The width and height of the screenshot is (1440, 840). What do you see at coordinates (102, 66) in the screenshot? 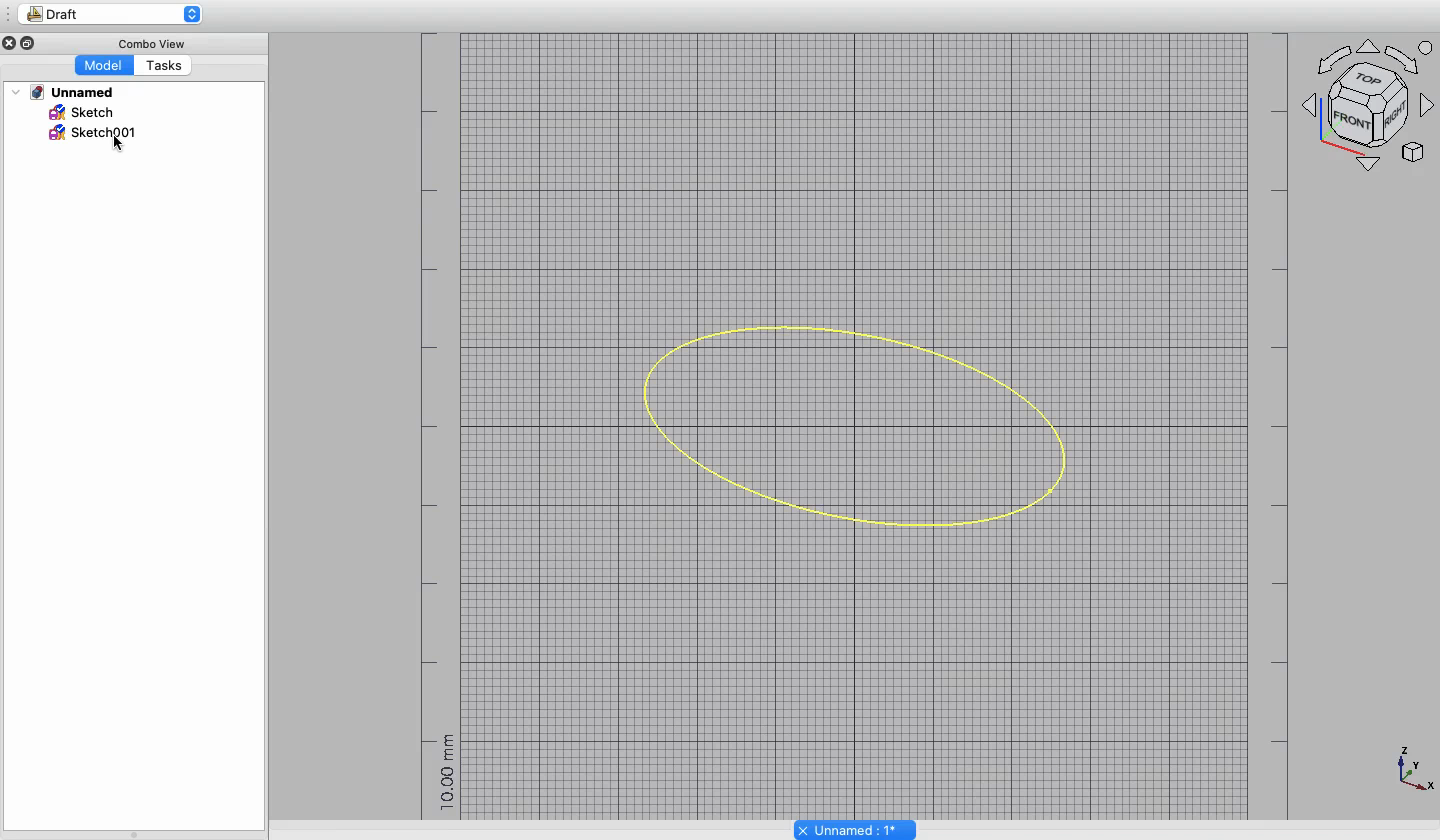
I see `Model ` at bounding box center [102, 66].